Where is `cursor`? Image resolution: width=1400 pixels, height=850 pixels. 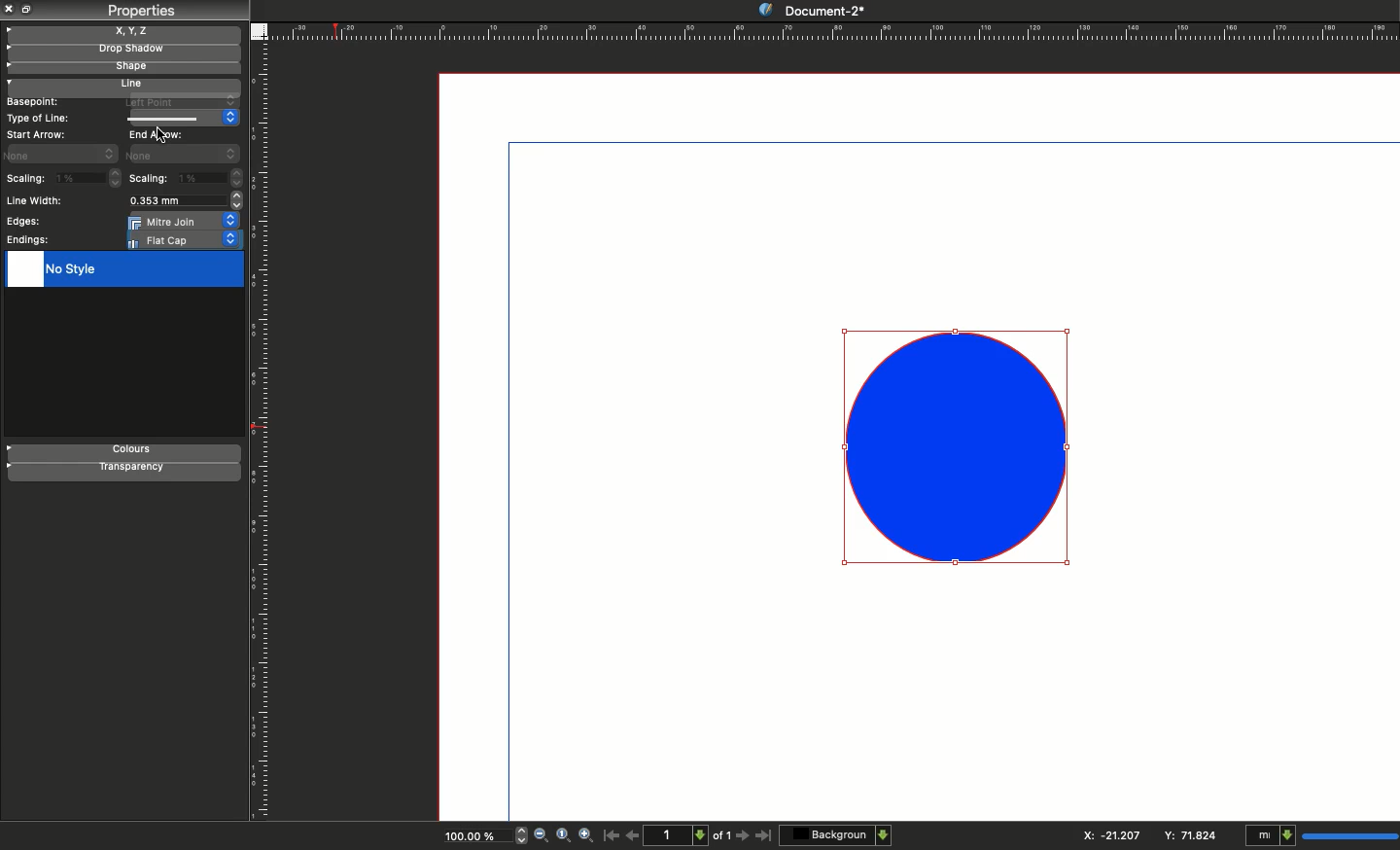 cursor is located at coordinates (163, 135).